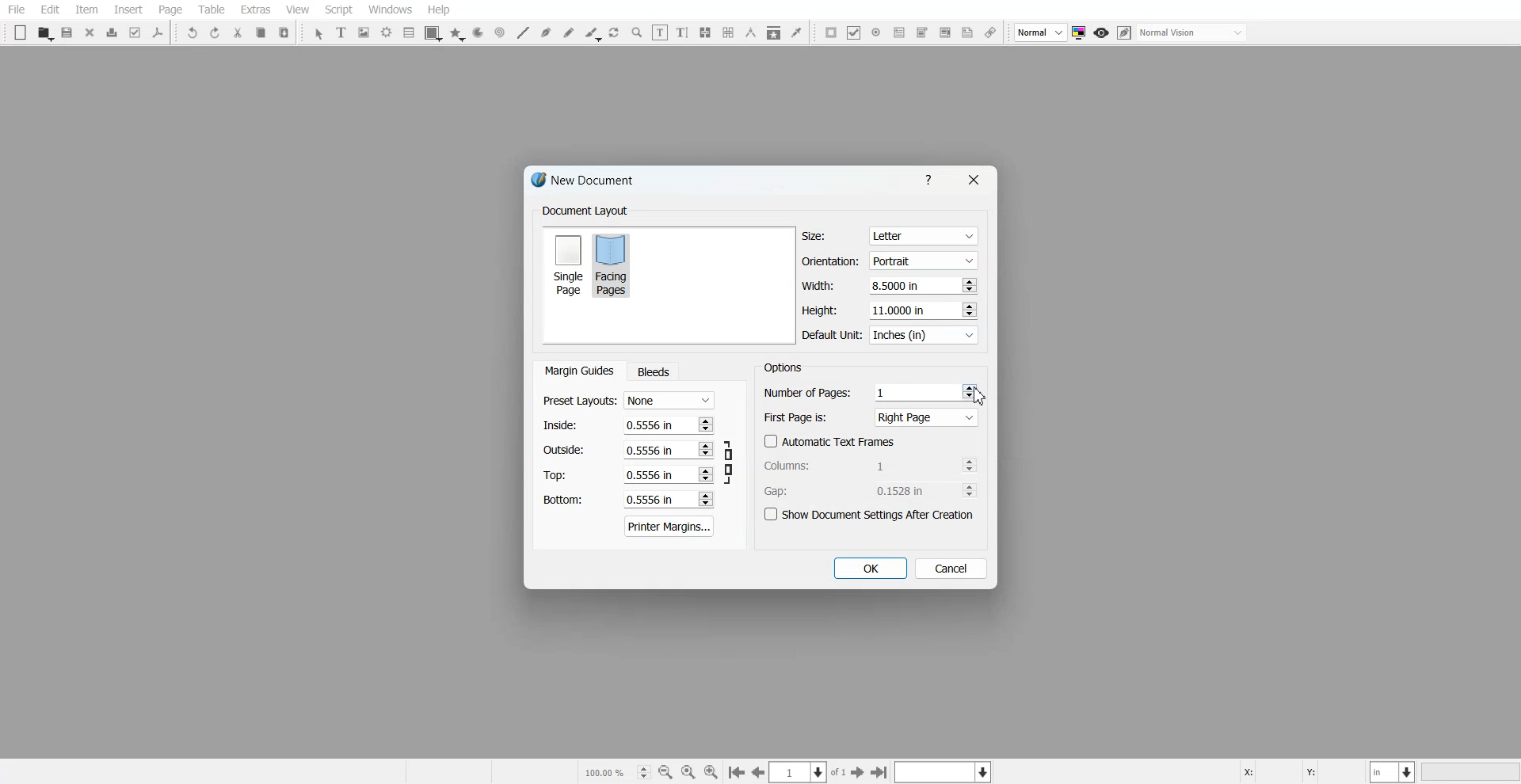 The height and width of the screenshot is (784, 1521). Describe the element at coordinates (660, 32) in the screenshot. I see `Edit contents of frame` at that location.